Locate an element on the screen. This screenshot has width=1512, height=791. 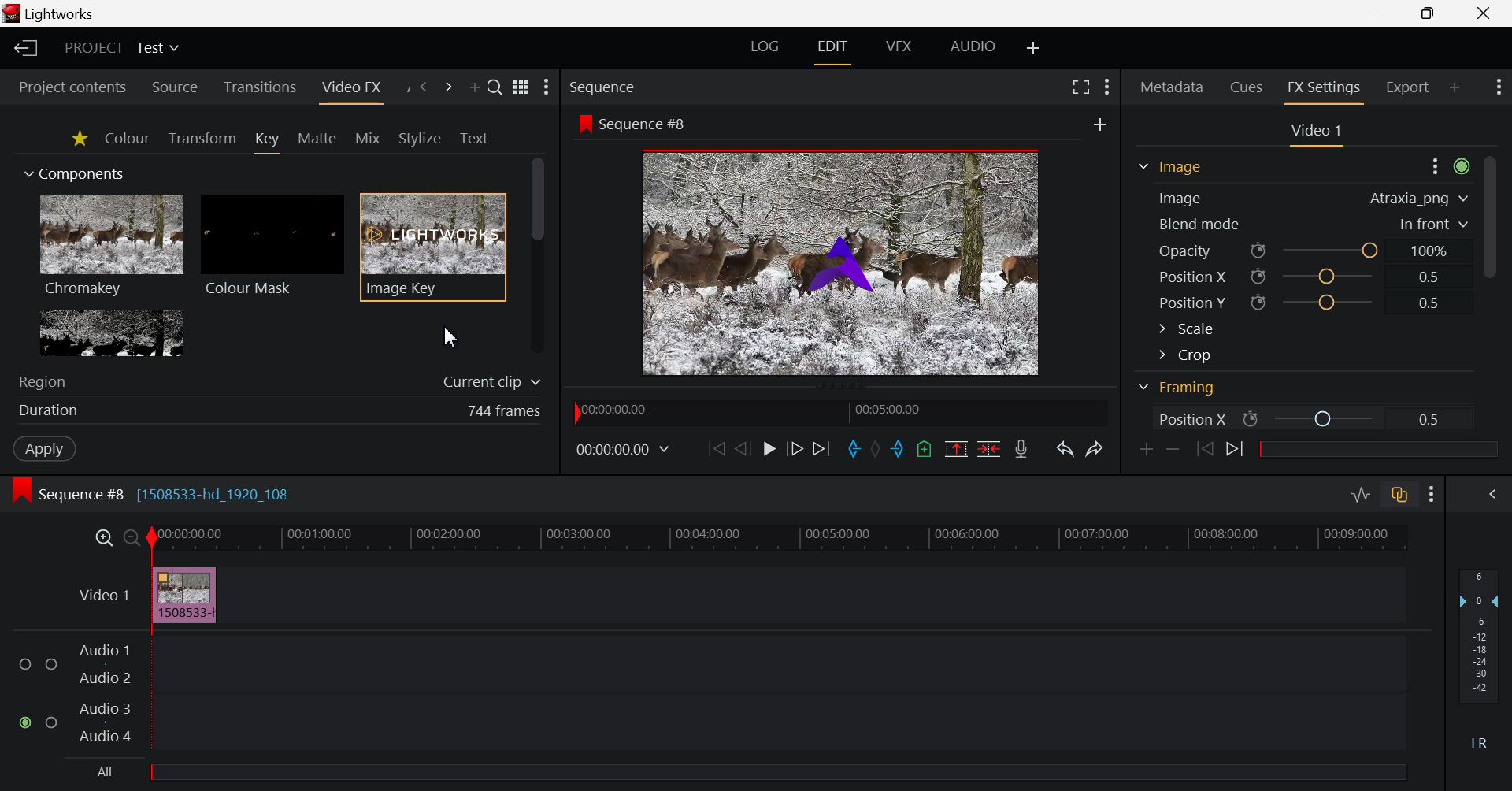
Apply is located at coordinates (43, 449).